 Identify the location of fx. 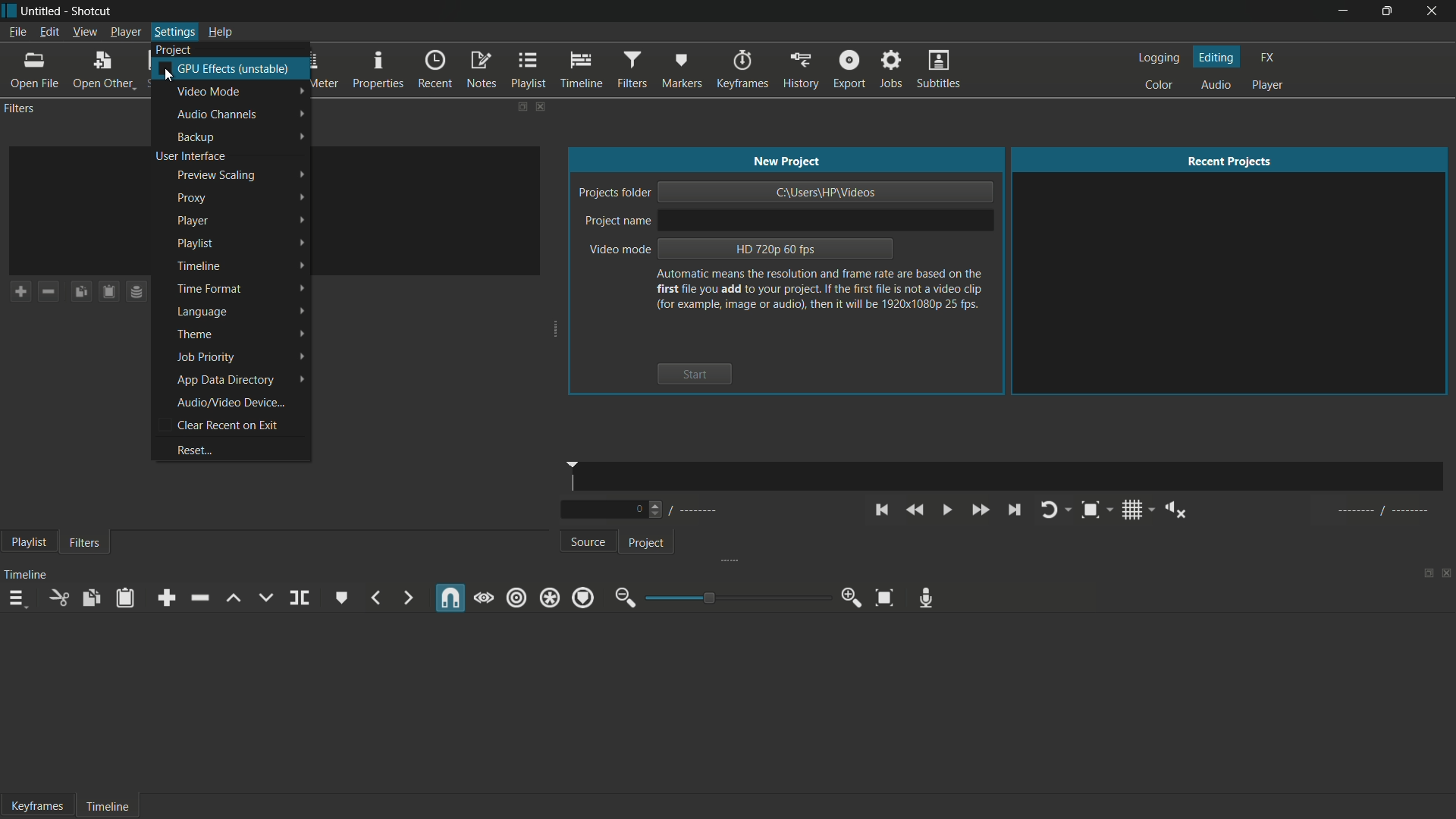
(1267, 58).